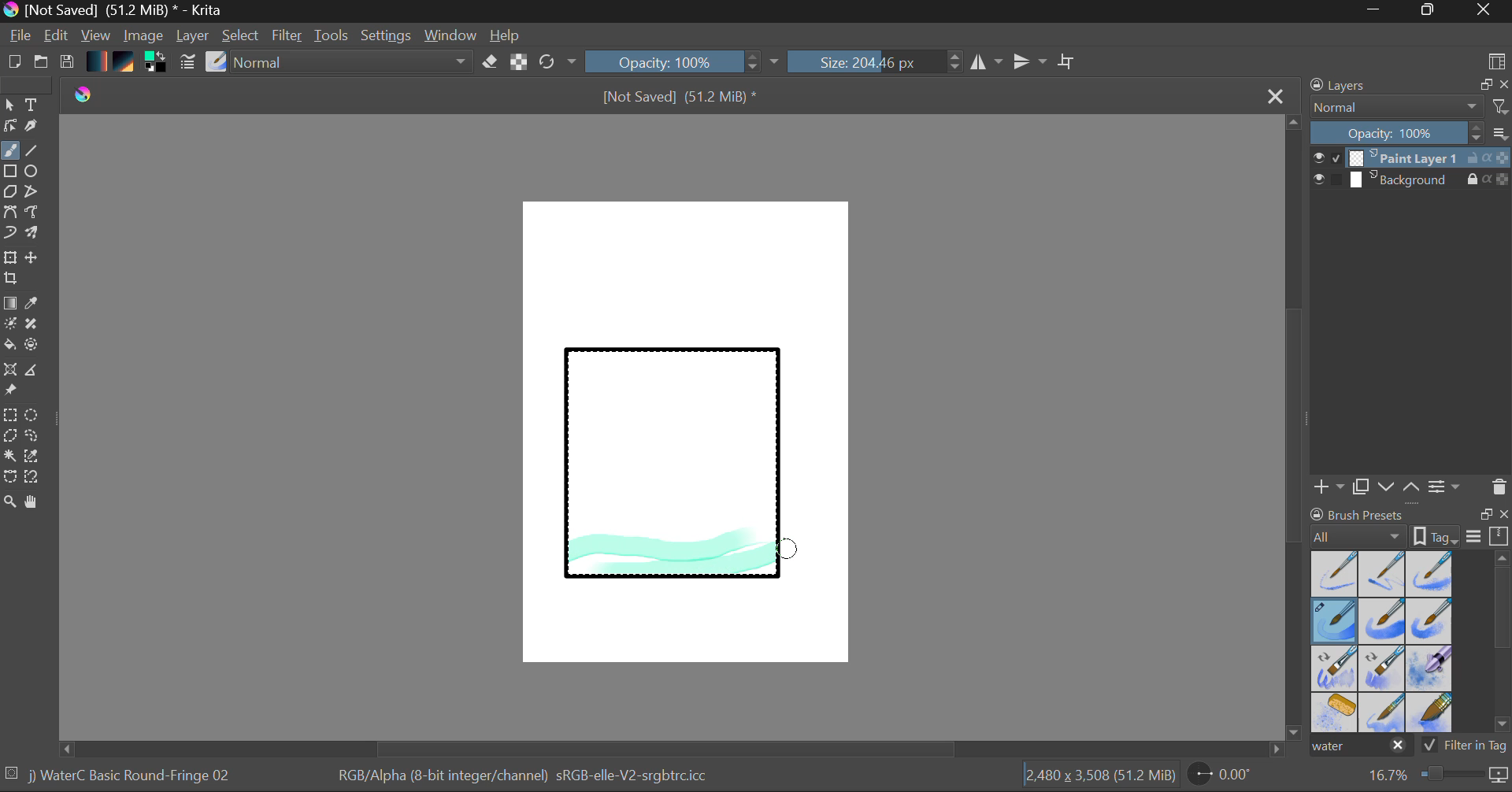 The height and width of the screenshot is (792, 1512). What do you see at coordinates (1499, 487) in the screenshot?
I see `Delete Layer` at bounding box center [1499, 487].